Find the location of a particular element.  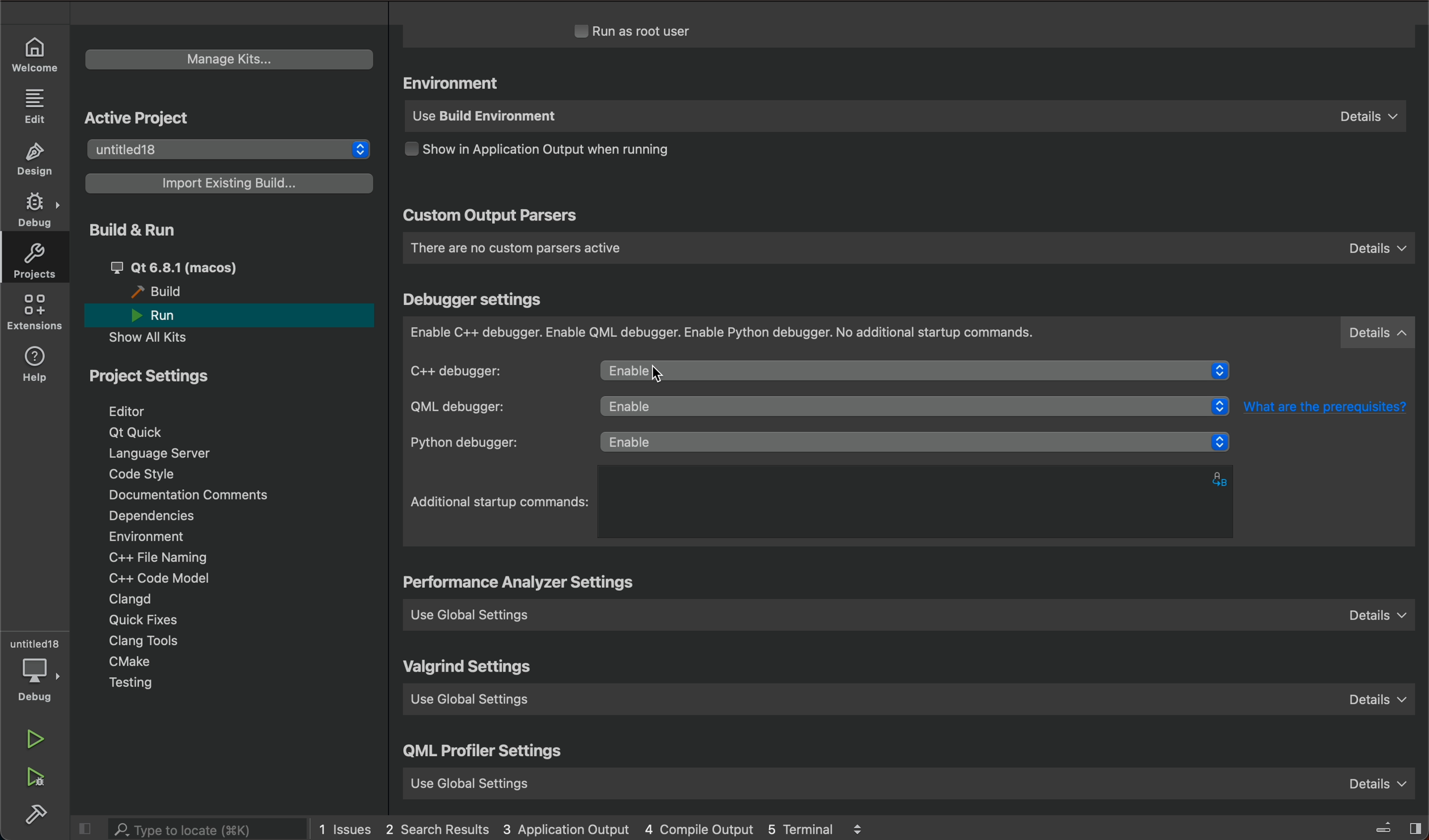

c++  is located at coordinates (825, 370).